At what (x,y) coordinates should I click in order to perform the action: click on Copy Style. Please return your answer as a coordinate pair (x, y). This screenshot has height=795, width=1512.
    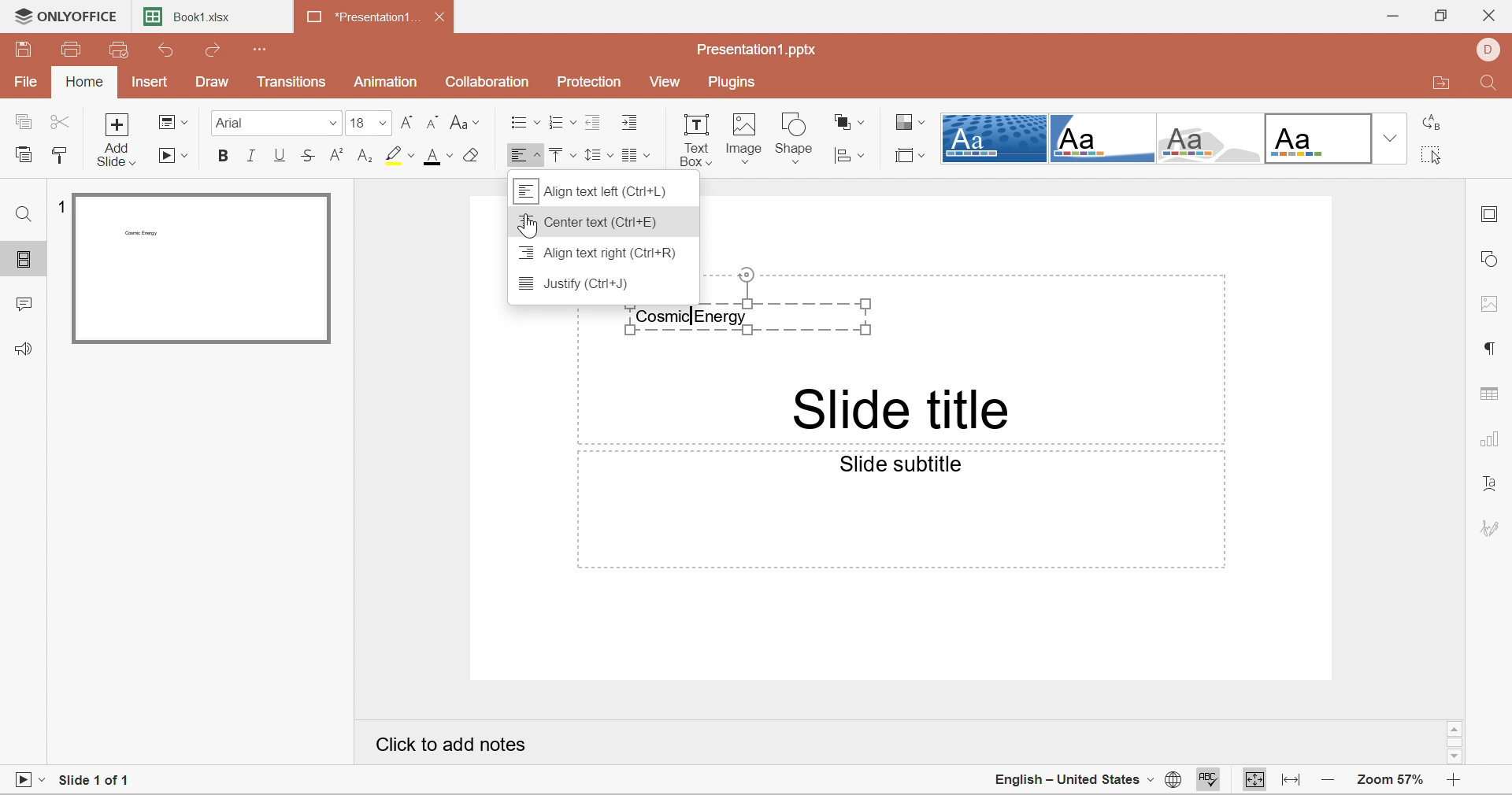
    Looking at the image, I should click on (58, 156).